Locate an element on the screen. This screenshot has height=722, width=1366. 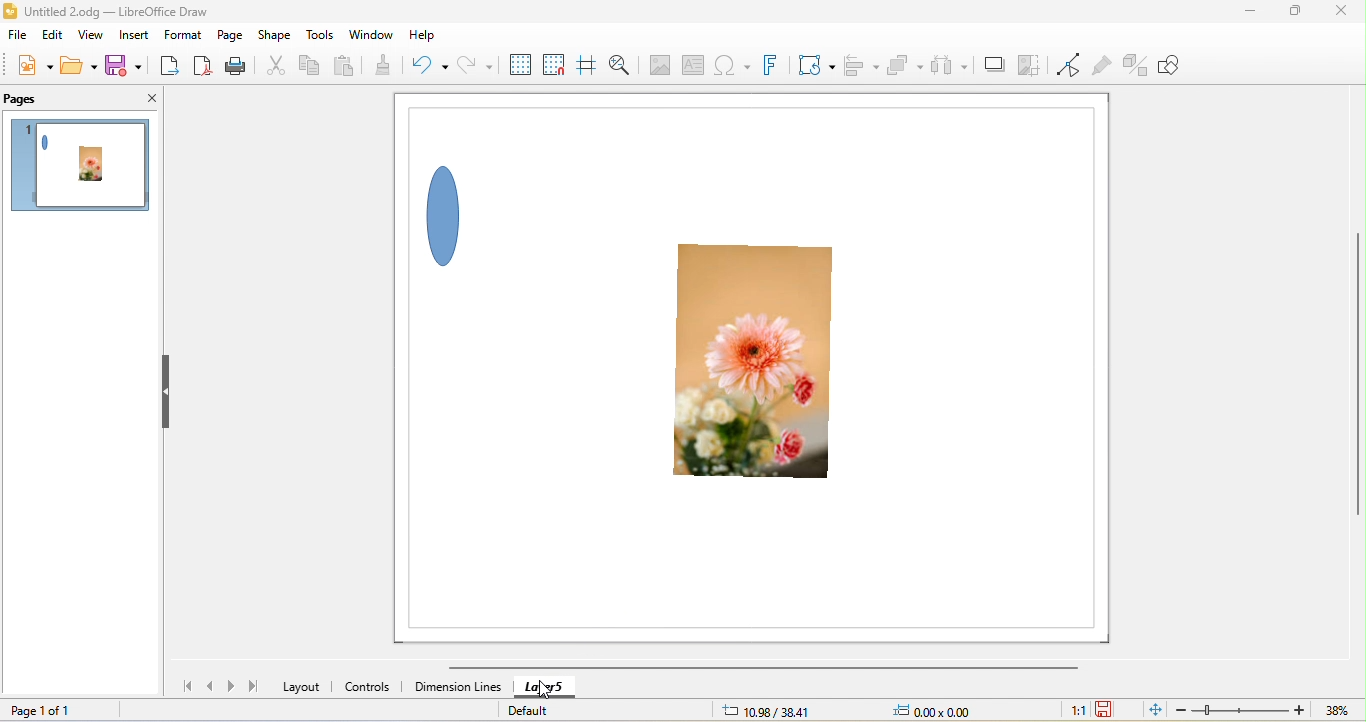
last page is located at coordinates (254, 685).